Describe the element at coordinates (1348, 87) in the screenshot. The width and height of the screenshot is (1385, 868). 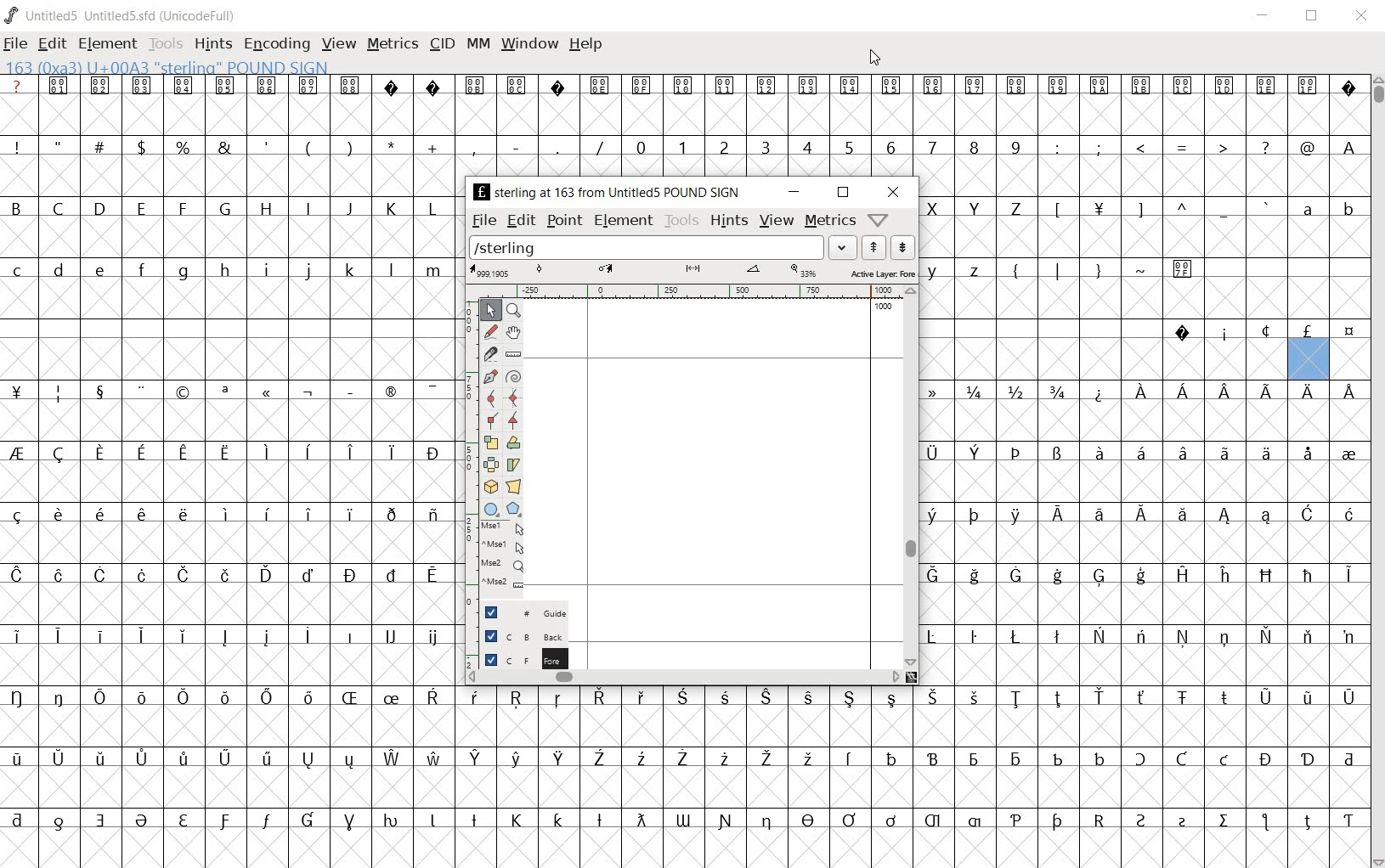
I see `Symbol` at that location.